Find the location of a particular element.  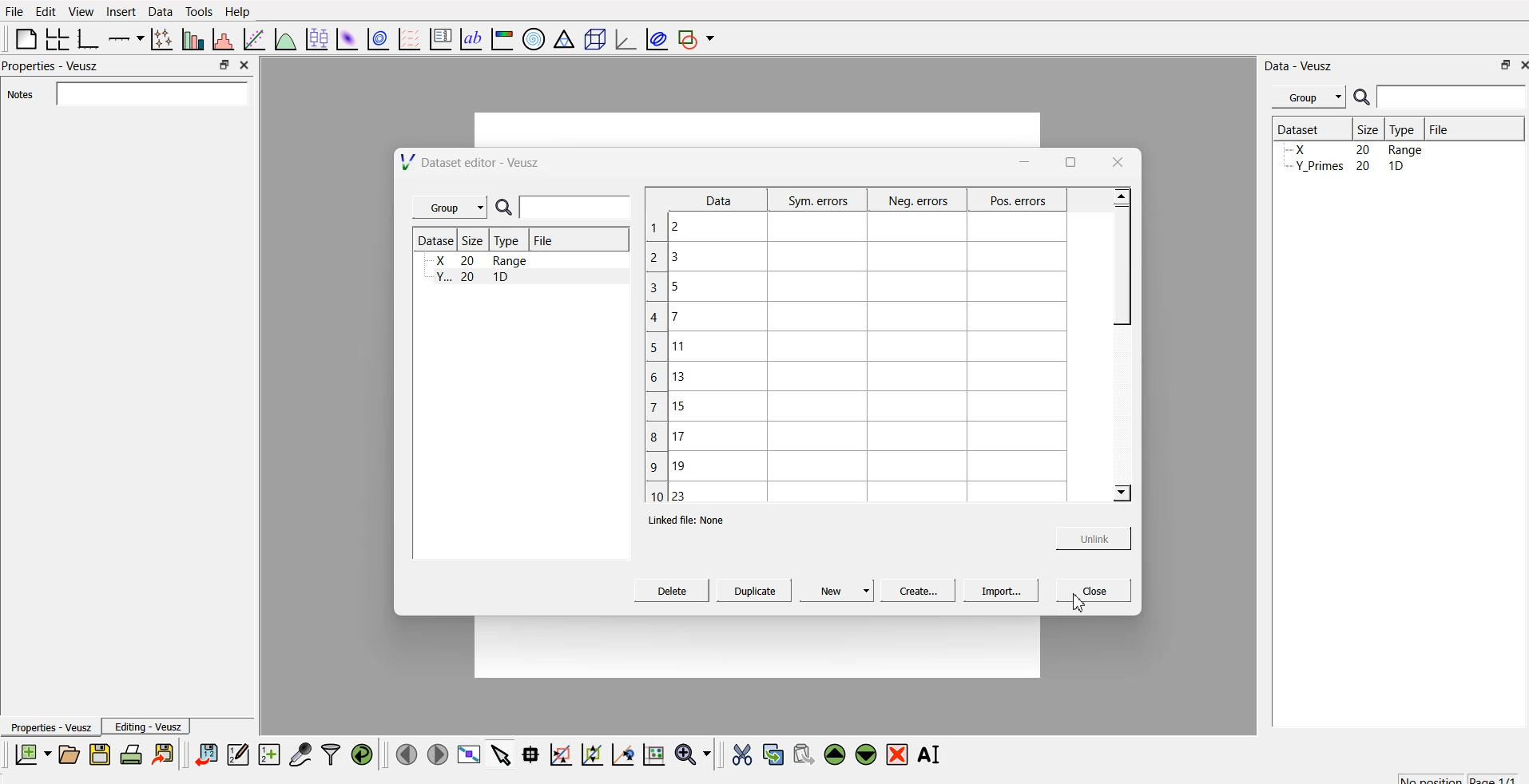

Dataset is located at coordinates (435, 242).